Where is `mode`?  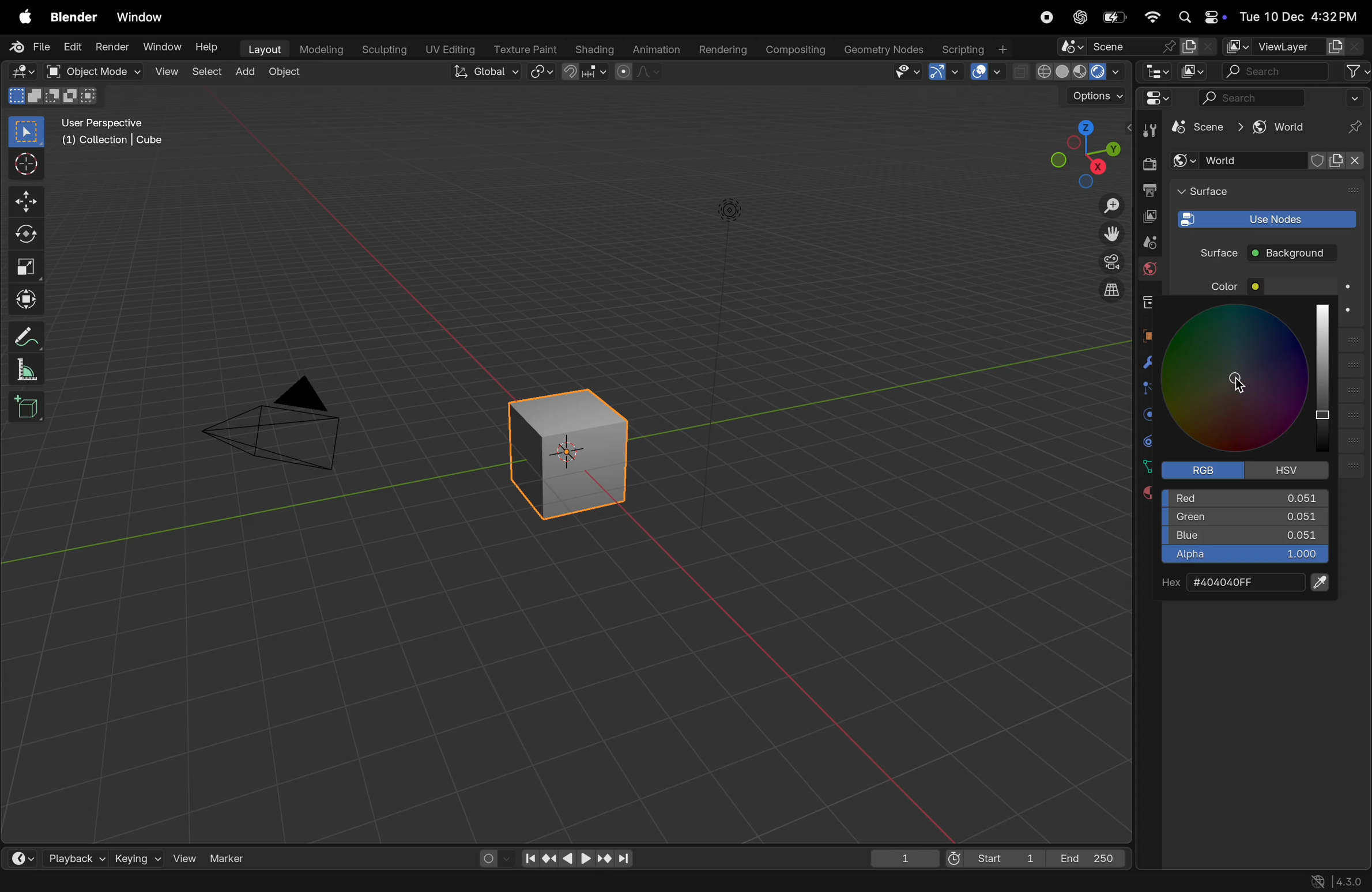 mode is located at coordinates (51, 97).